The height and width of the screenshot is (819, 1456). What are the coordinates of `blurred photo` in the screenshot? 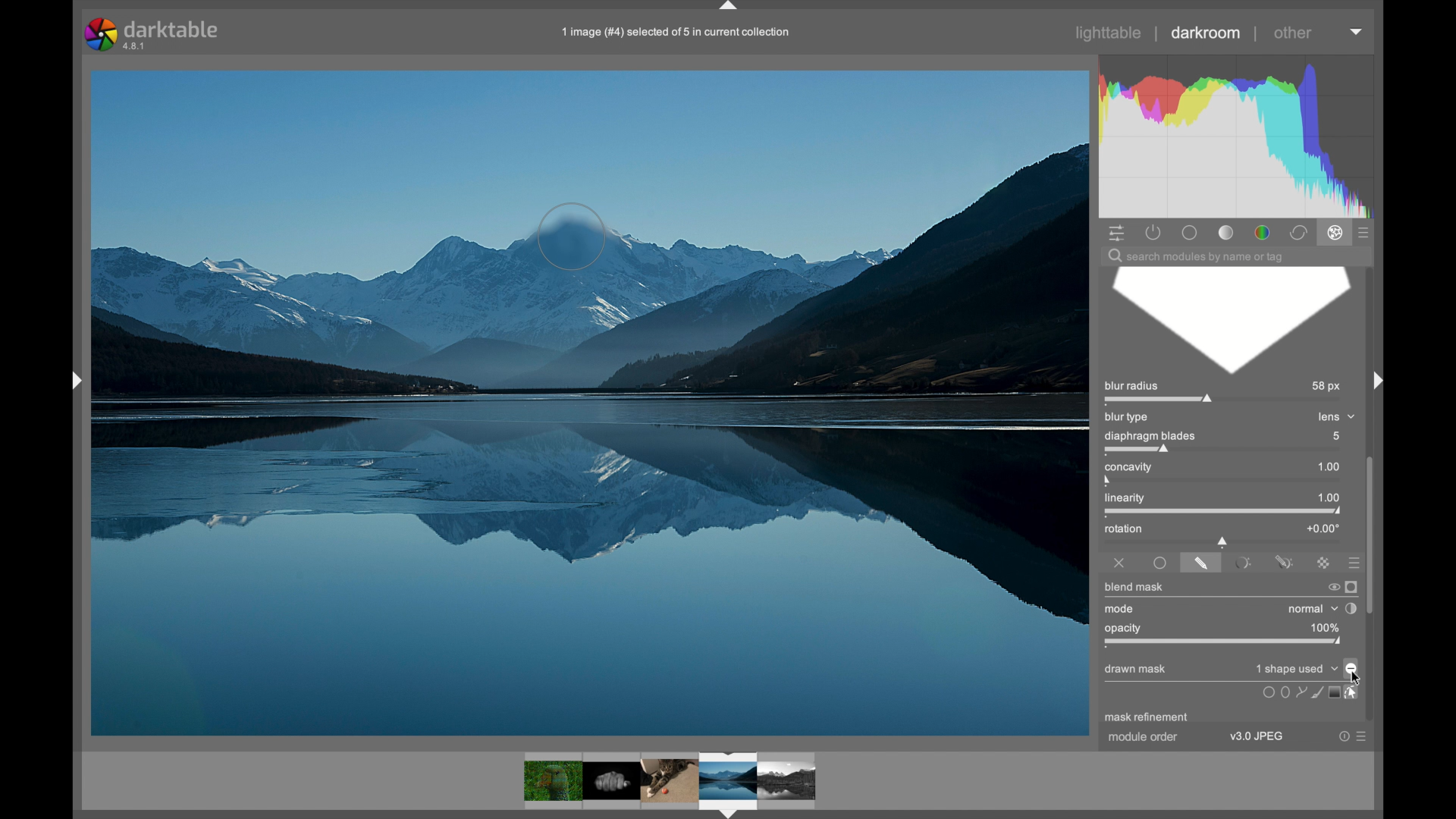 It's located at (589, 401).